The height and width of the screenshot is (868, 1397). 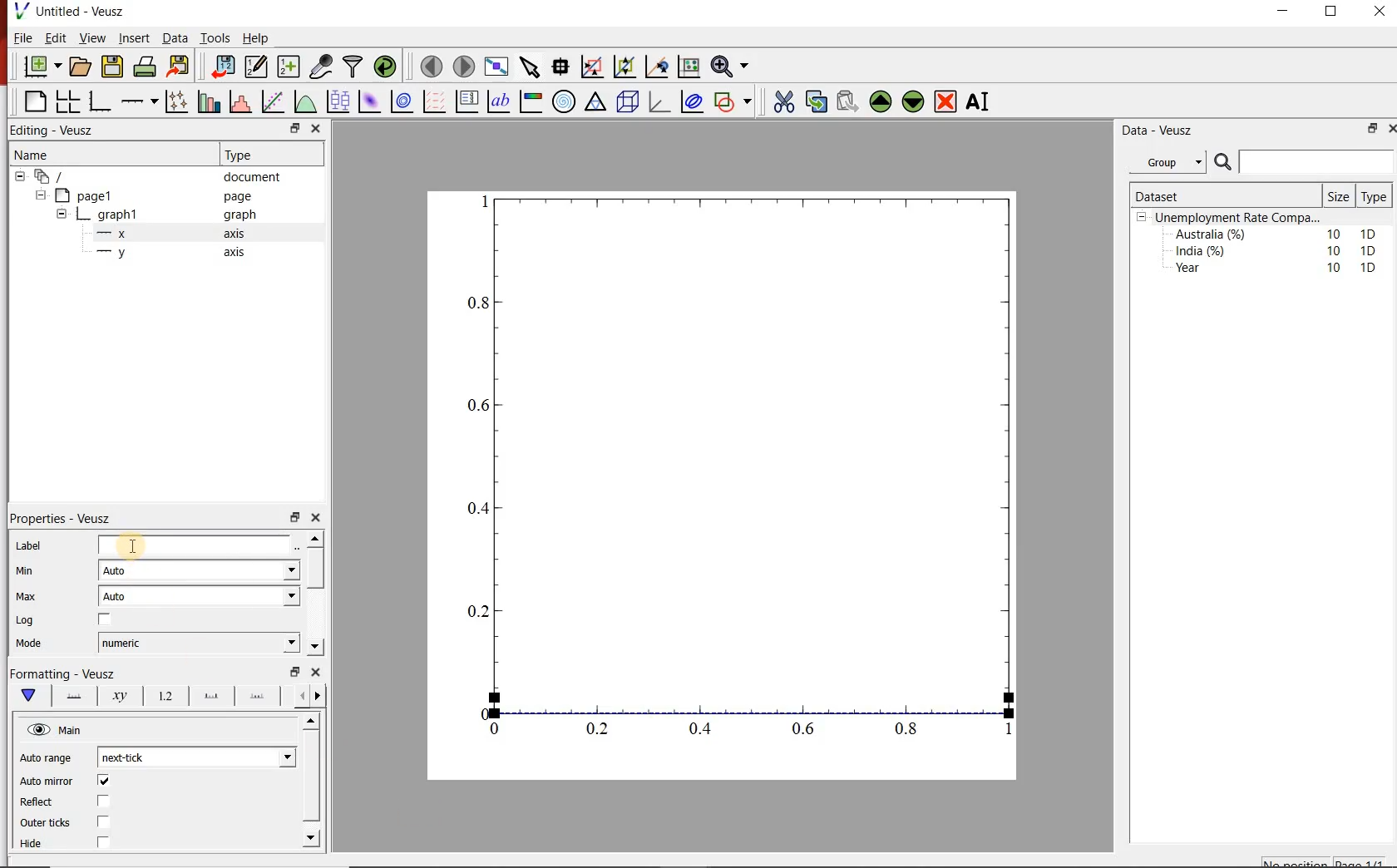 I want to click on import document, so click(x=225, y=65).